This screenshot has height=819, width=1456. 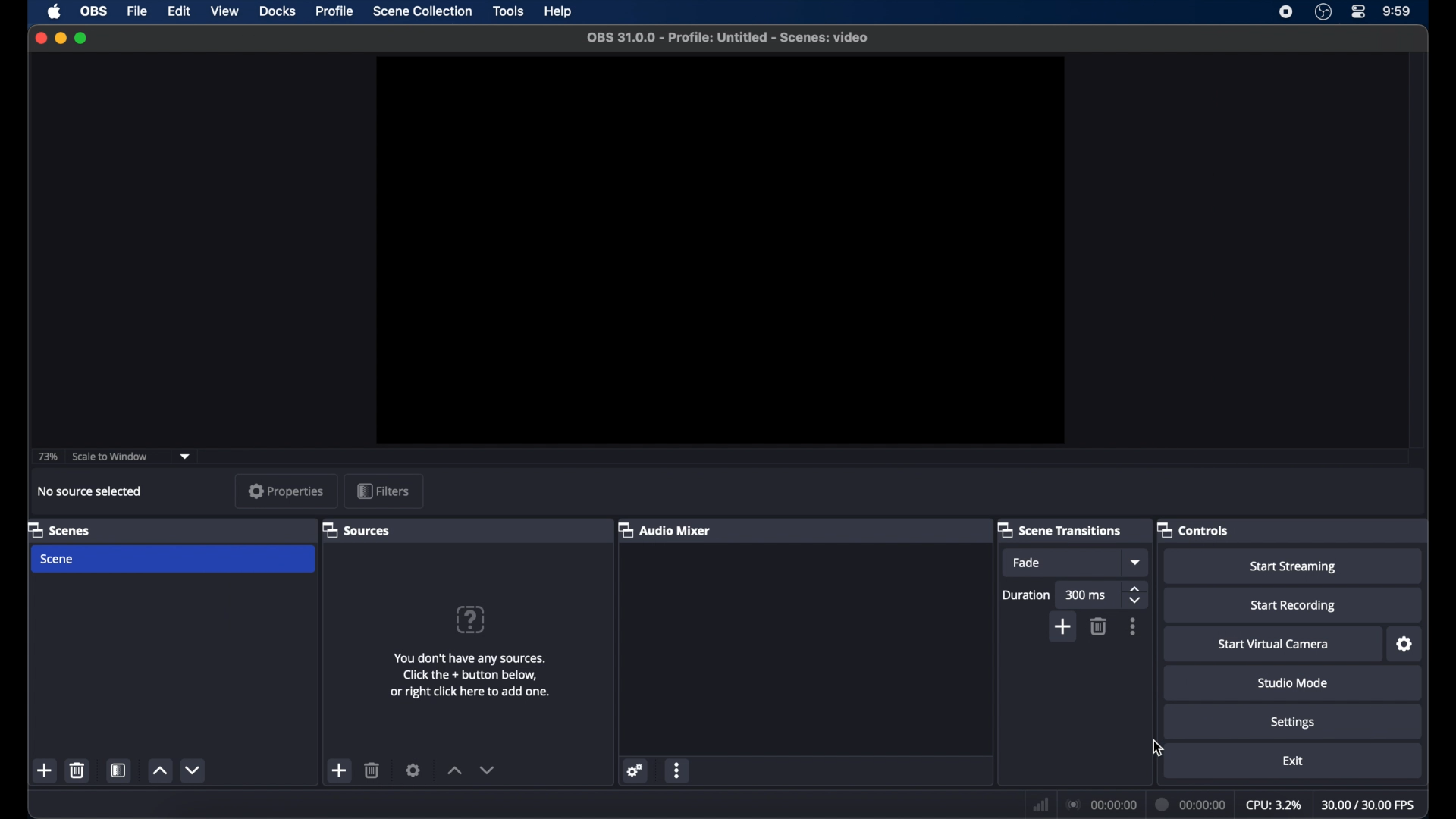 I want to click on controls , so click(x=1194, y=529).